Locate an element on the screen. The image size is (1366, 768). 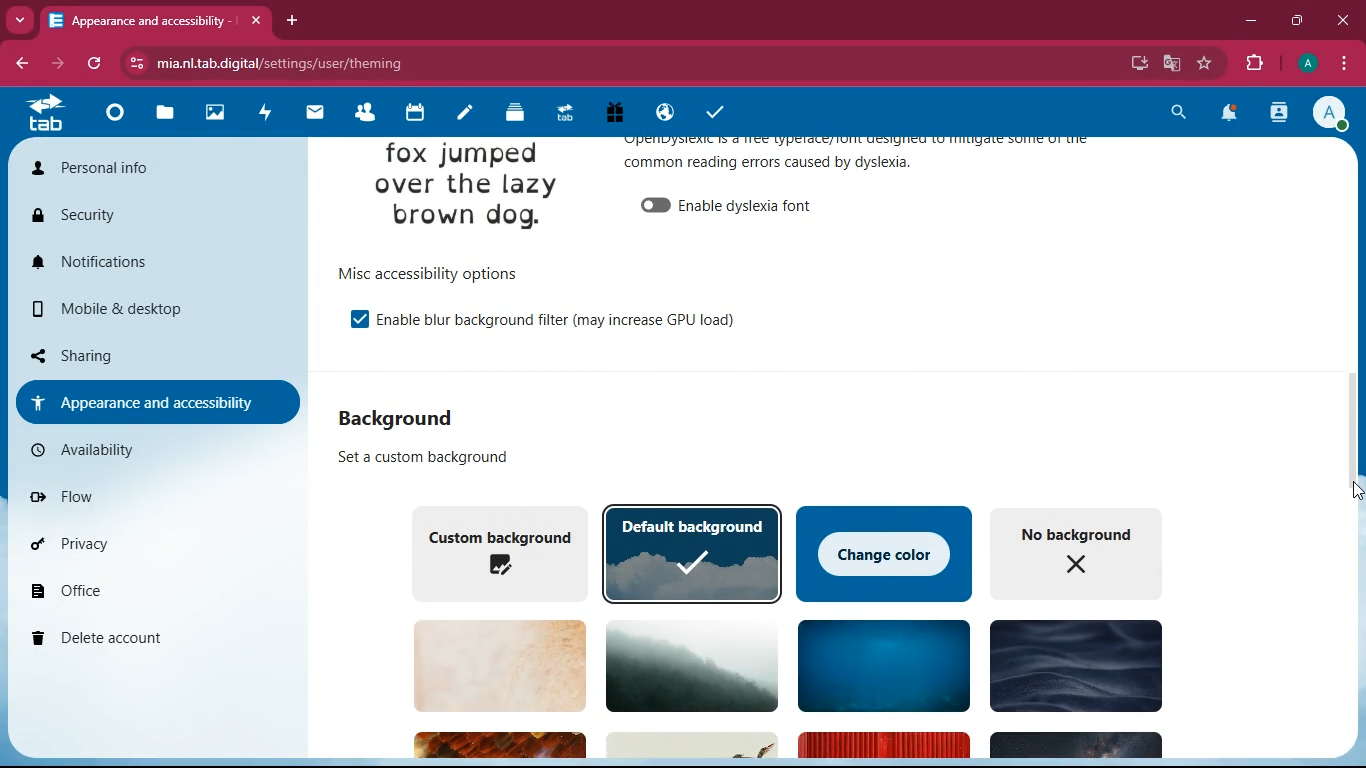
search is located at coordinates (1176, 115).